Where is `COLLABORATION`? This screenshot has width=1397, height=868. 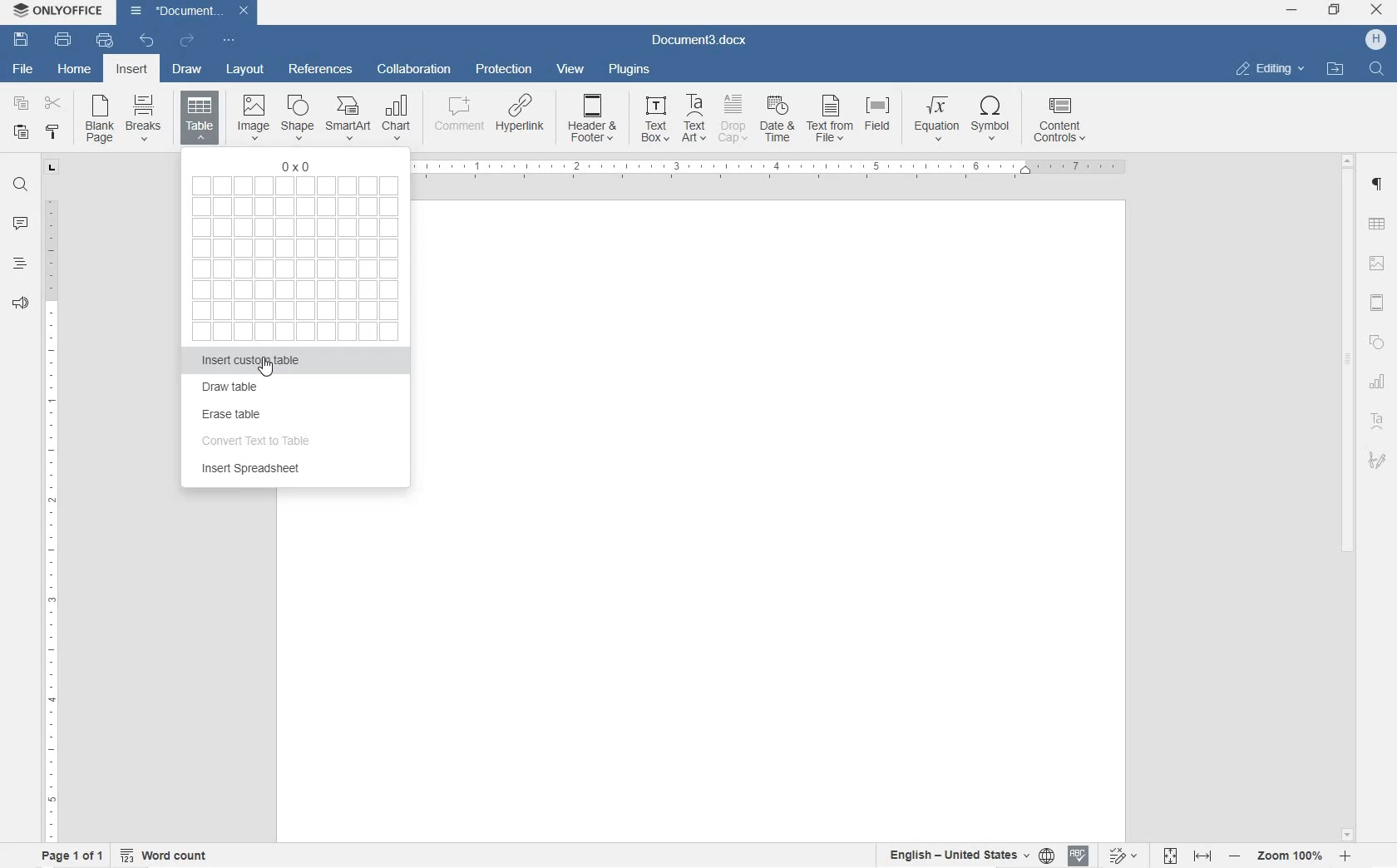 COLLABORATION is located at coordinates (417, 70).